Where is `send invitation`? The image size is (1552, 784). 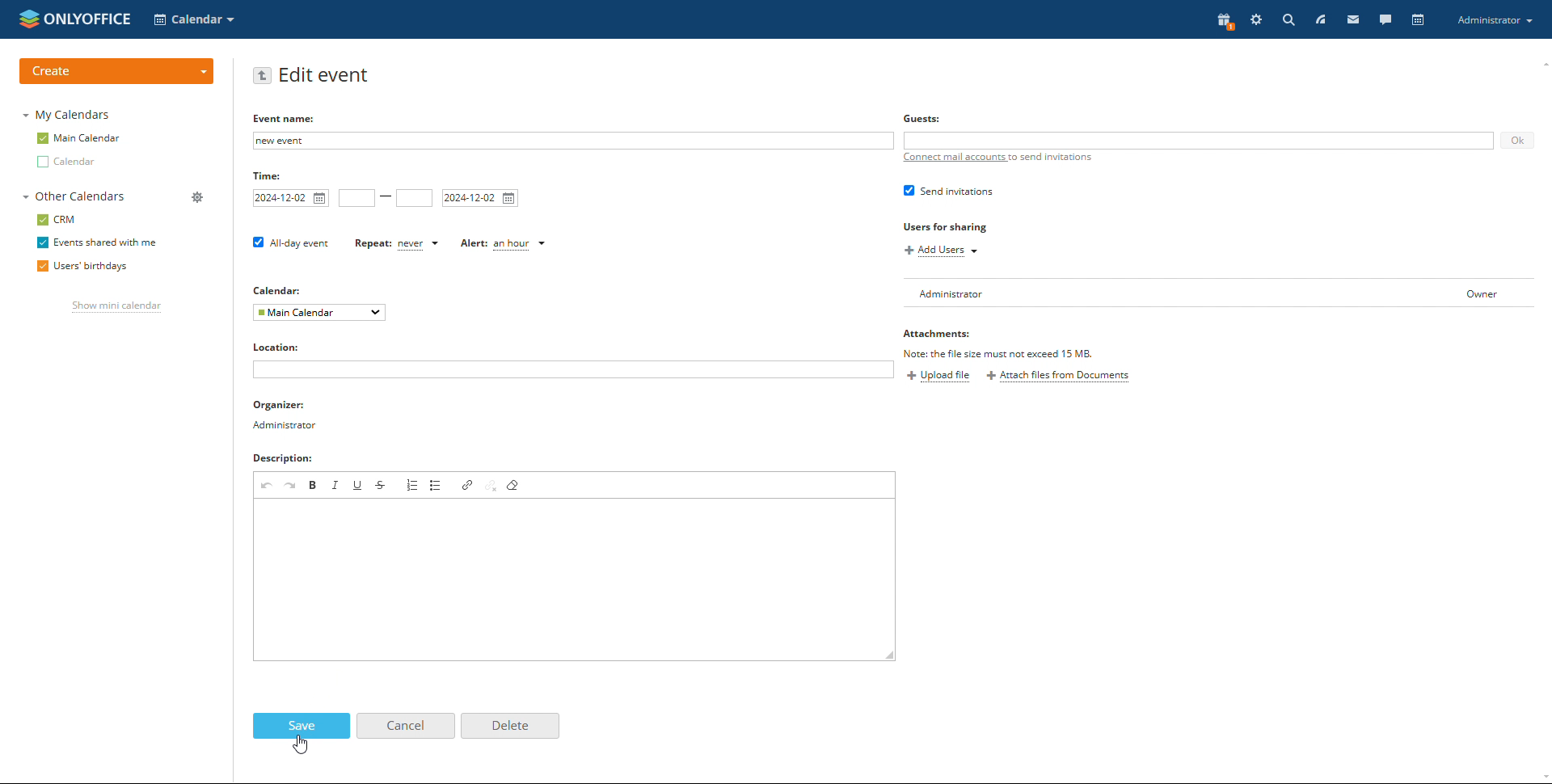 send invitation is located at coordinates (948, 192).